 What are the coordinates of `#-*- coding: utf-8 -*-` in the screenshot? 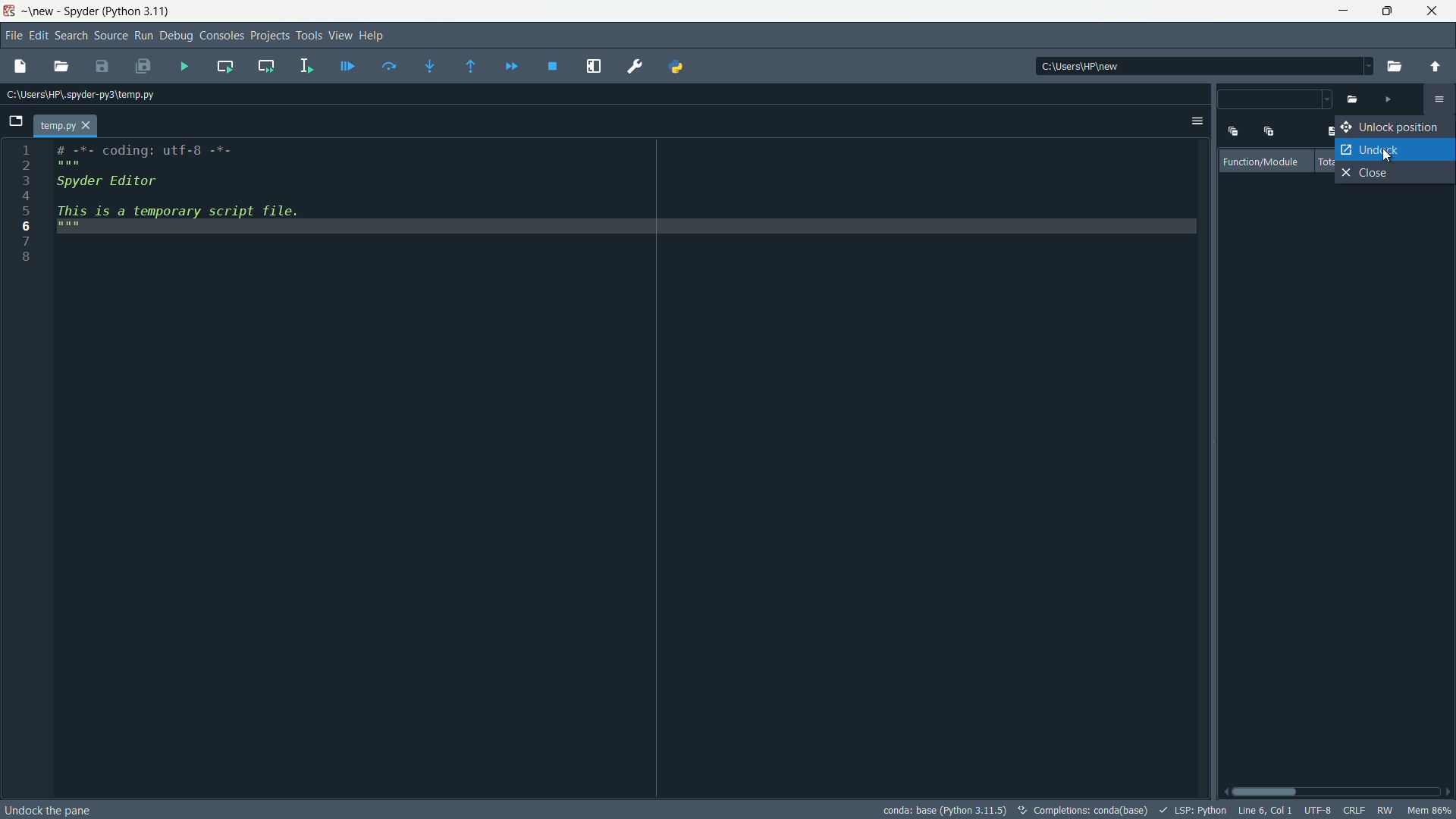 It's located at (148, 154).